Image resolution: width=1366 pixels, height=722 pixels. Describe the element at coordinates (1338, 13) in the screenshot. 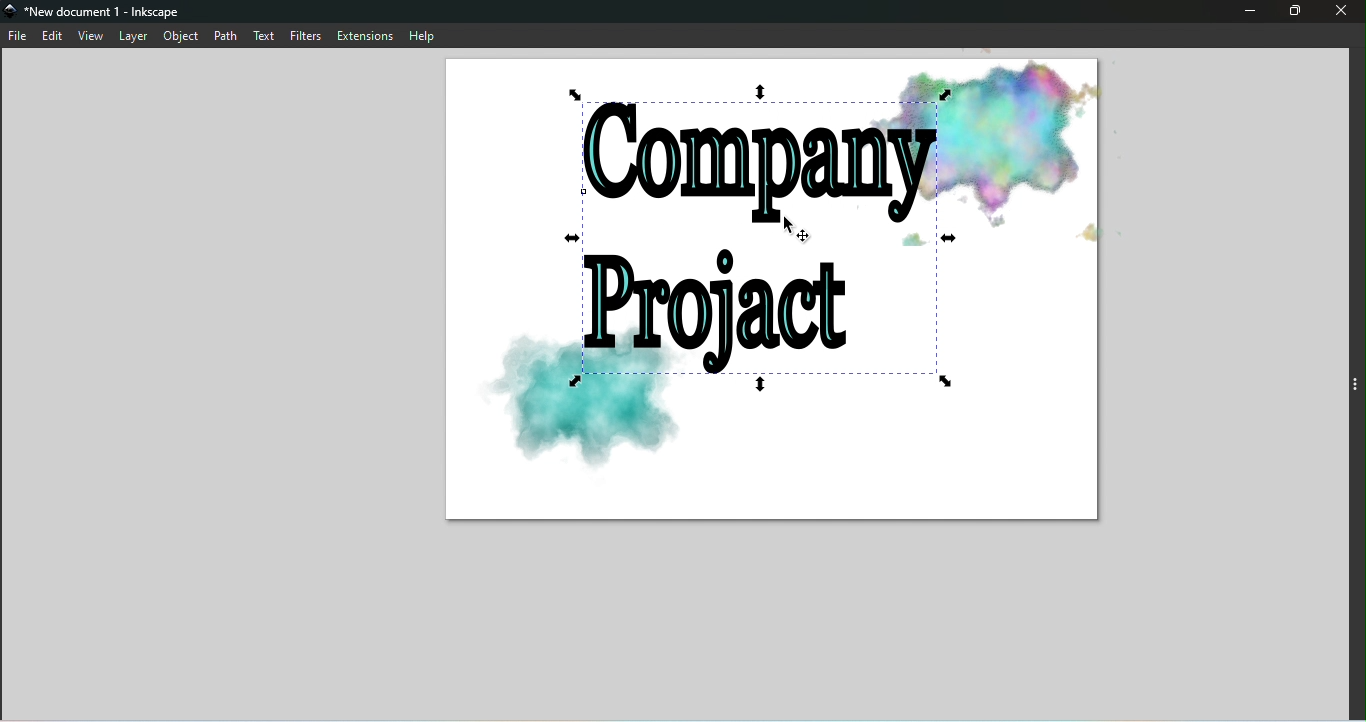

I see `Close` at that location.